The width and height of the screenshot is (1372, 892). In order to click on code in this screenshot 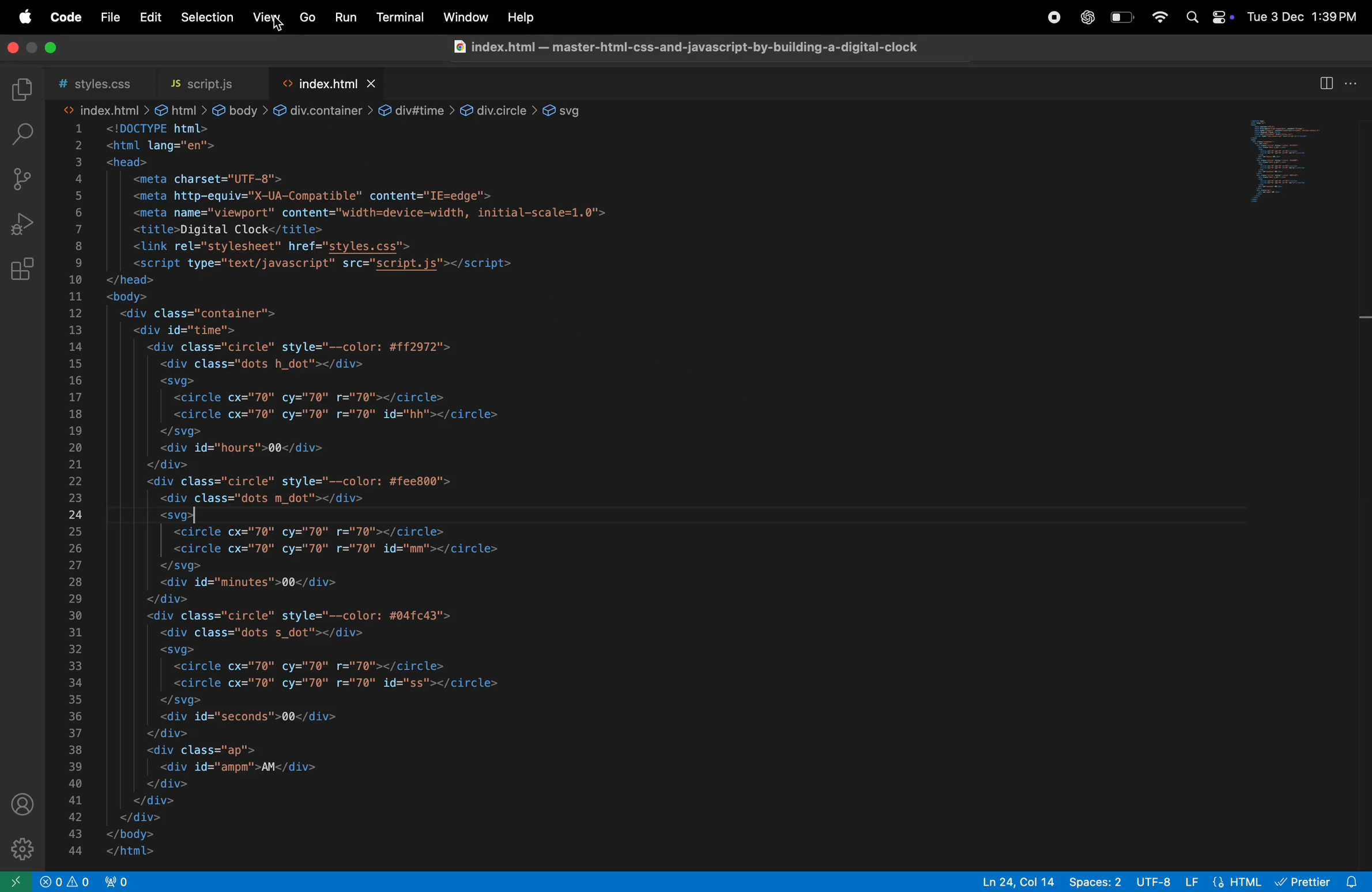, I will do `click(66, 17)`.